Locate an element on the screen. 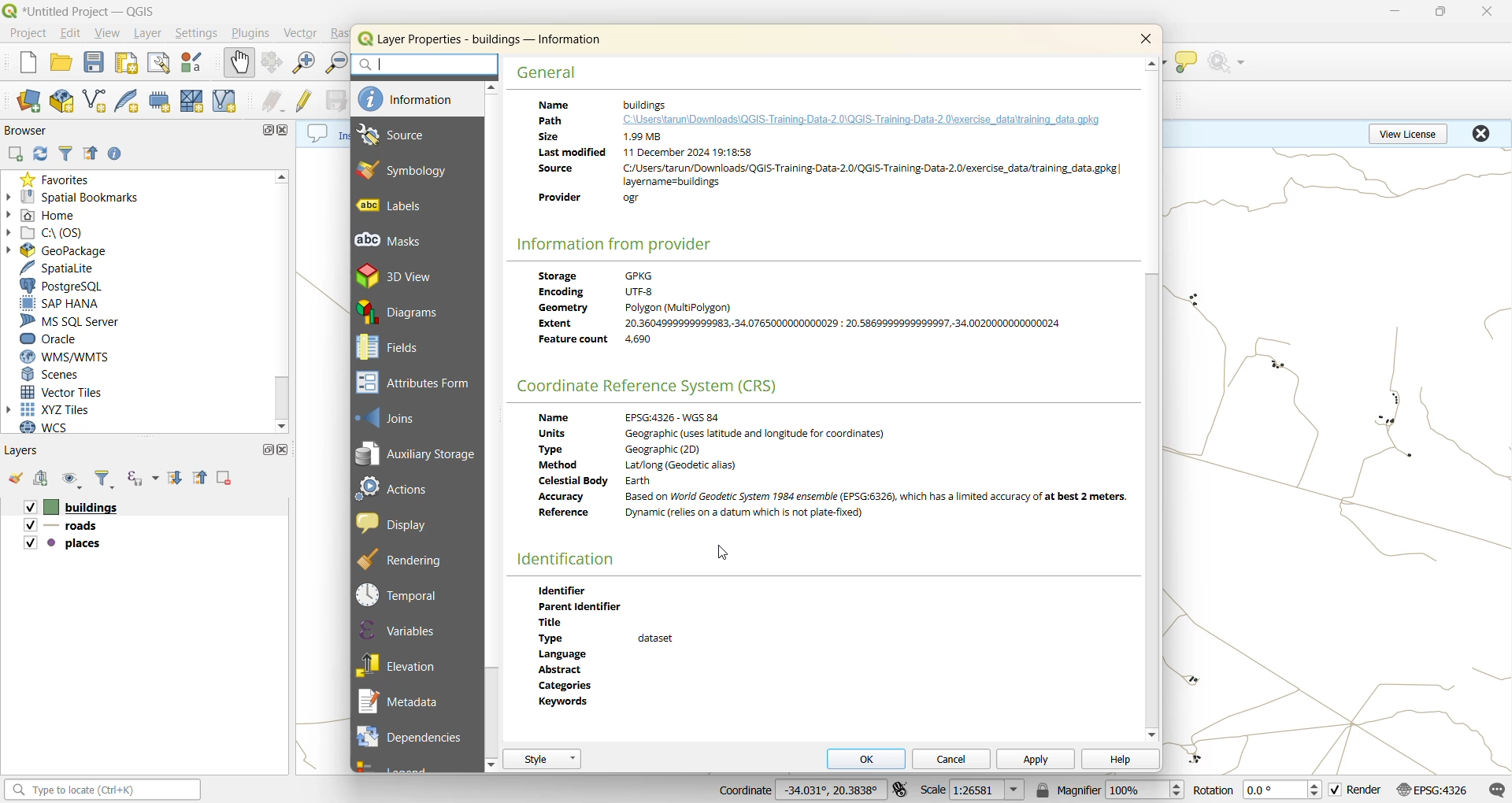 The height and width of the screenshot is (803, 1512). plugins is located at coordinates (249, 35).